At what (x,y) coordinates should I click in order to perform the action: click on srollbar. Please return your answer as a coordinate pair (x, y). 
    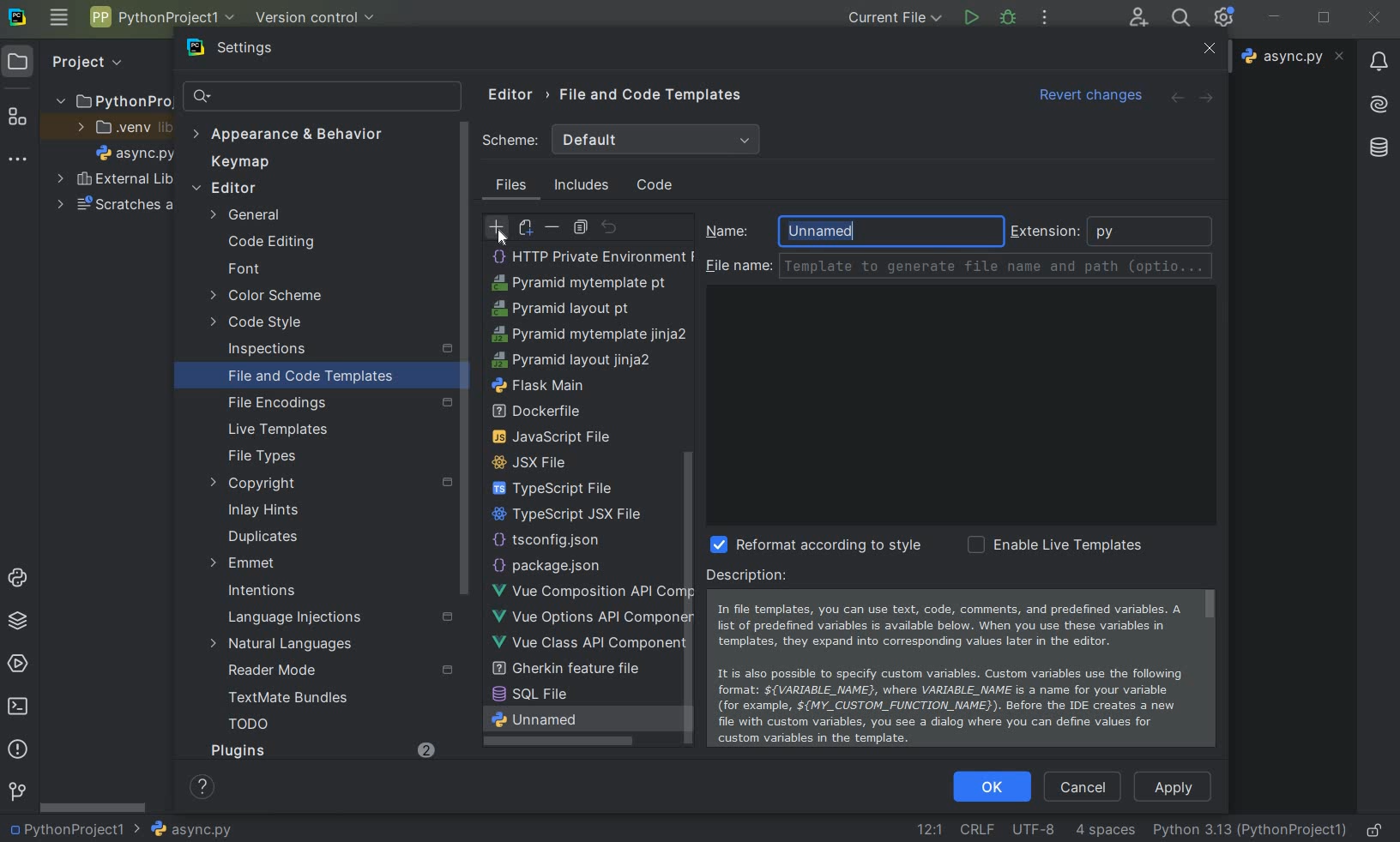
    Looking at the image, I should click on (94, 808).